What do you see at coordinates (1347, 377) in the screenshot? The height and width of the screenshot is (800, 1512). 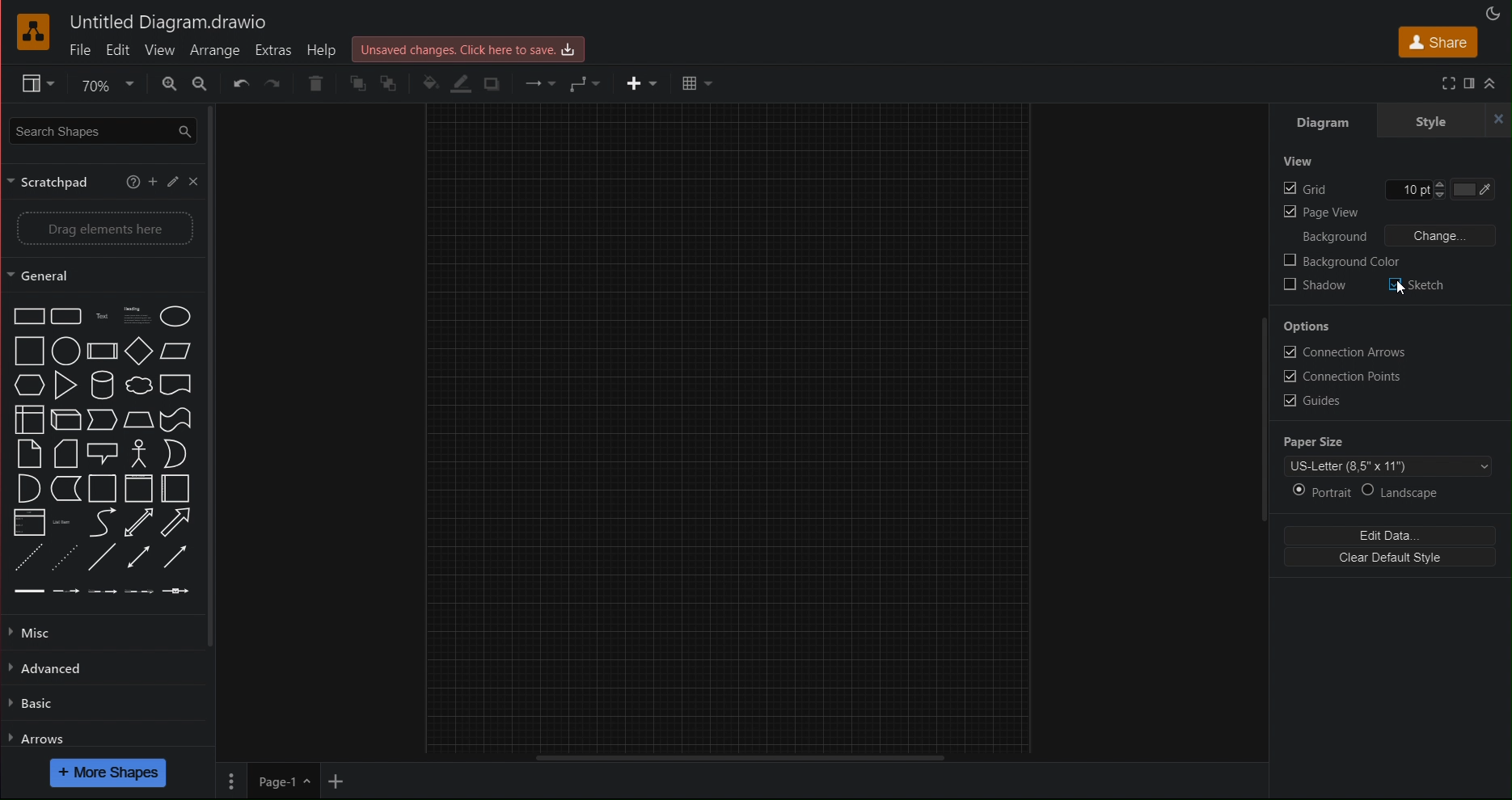 I see `Connection Points` at bounding box center [1347, 377].